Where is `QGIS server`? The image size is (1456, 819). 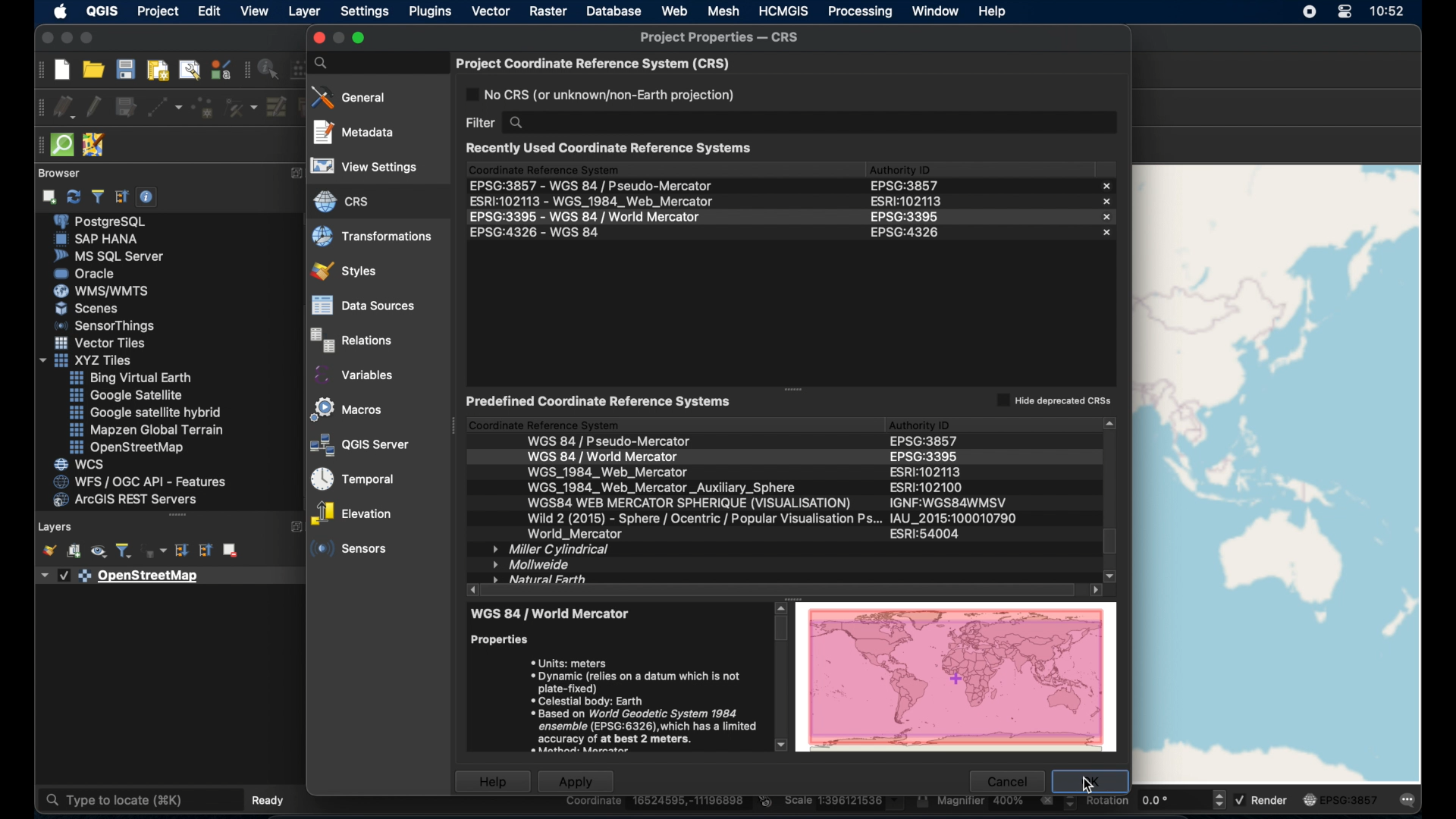
QGIS server is located at coordinates (356, 444).